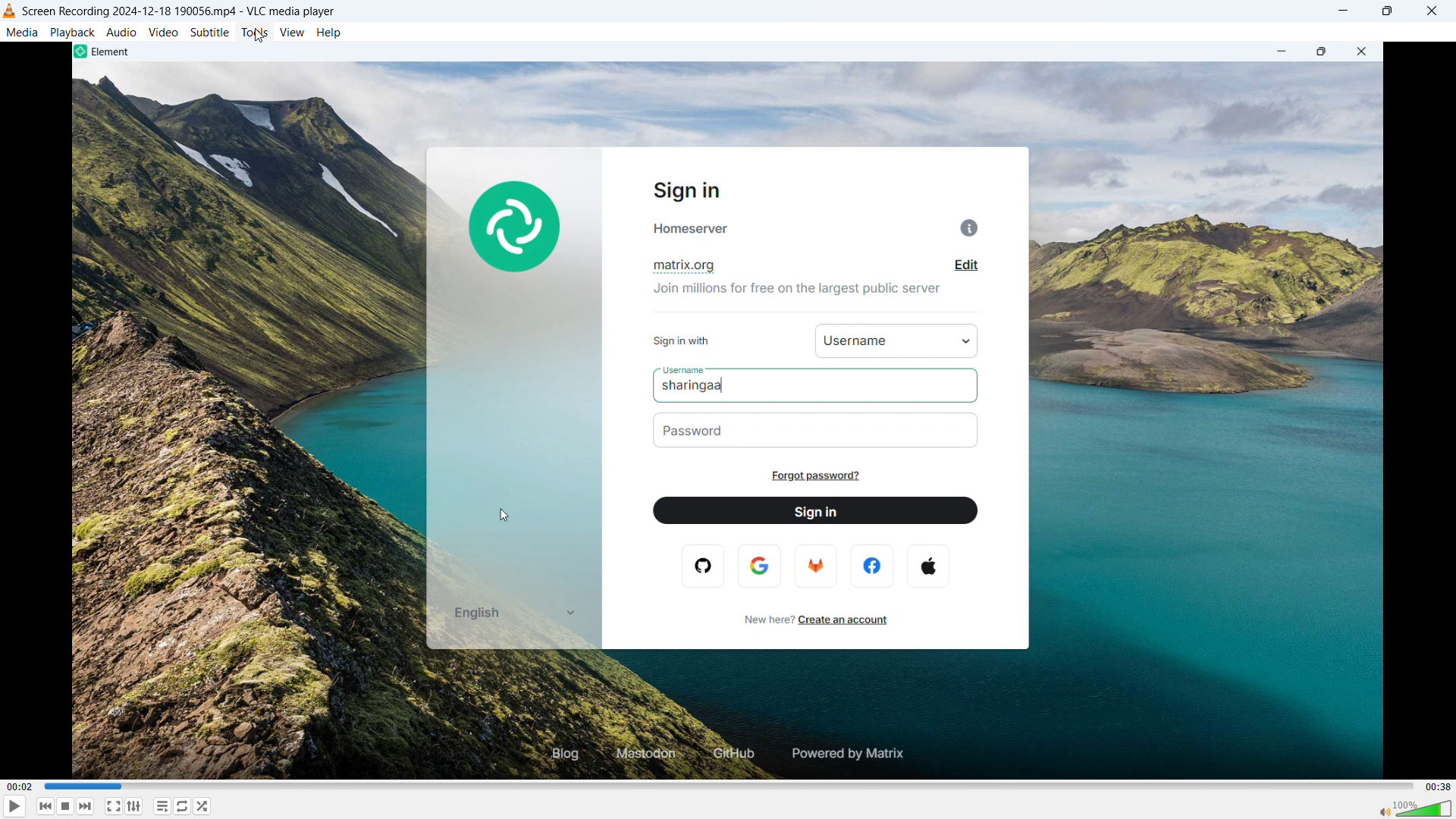  Describe the element at coordinates (1282, 52) in the screenshot. I see `minimize` at that location.